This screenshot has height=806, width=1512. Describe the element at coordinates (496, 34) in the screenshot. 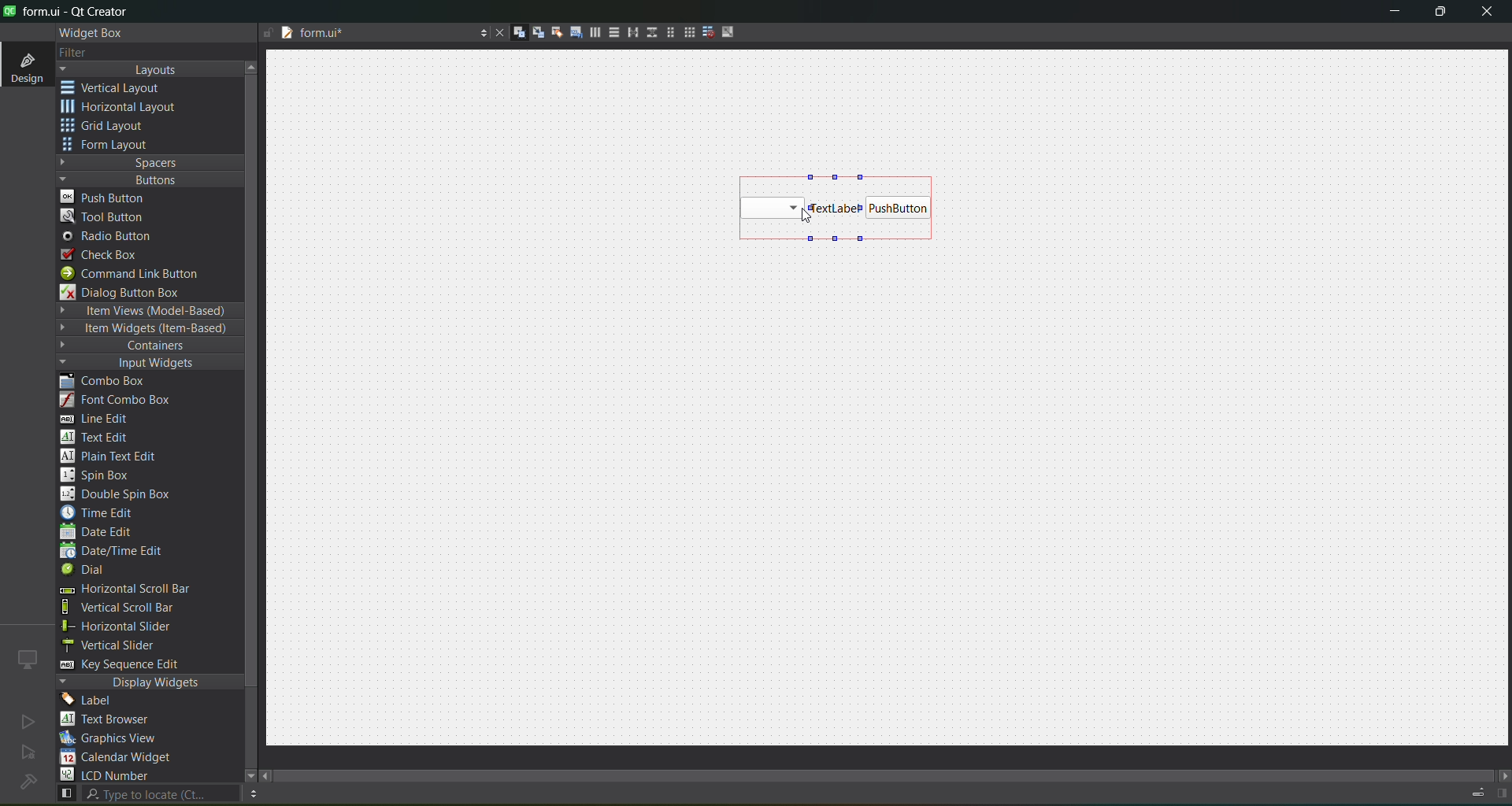

I see `close document` at that location.